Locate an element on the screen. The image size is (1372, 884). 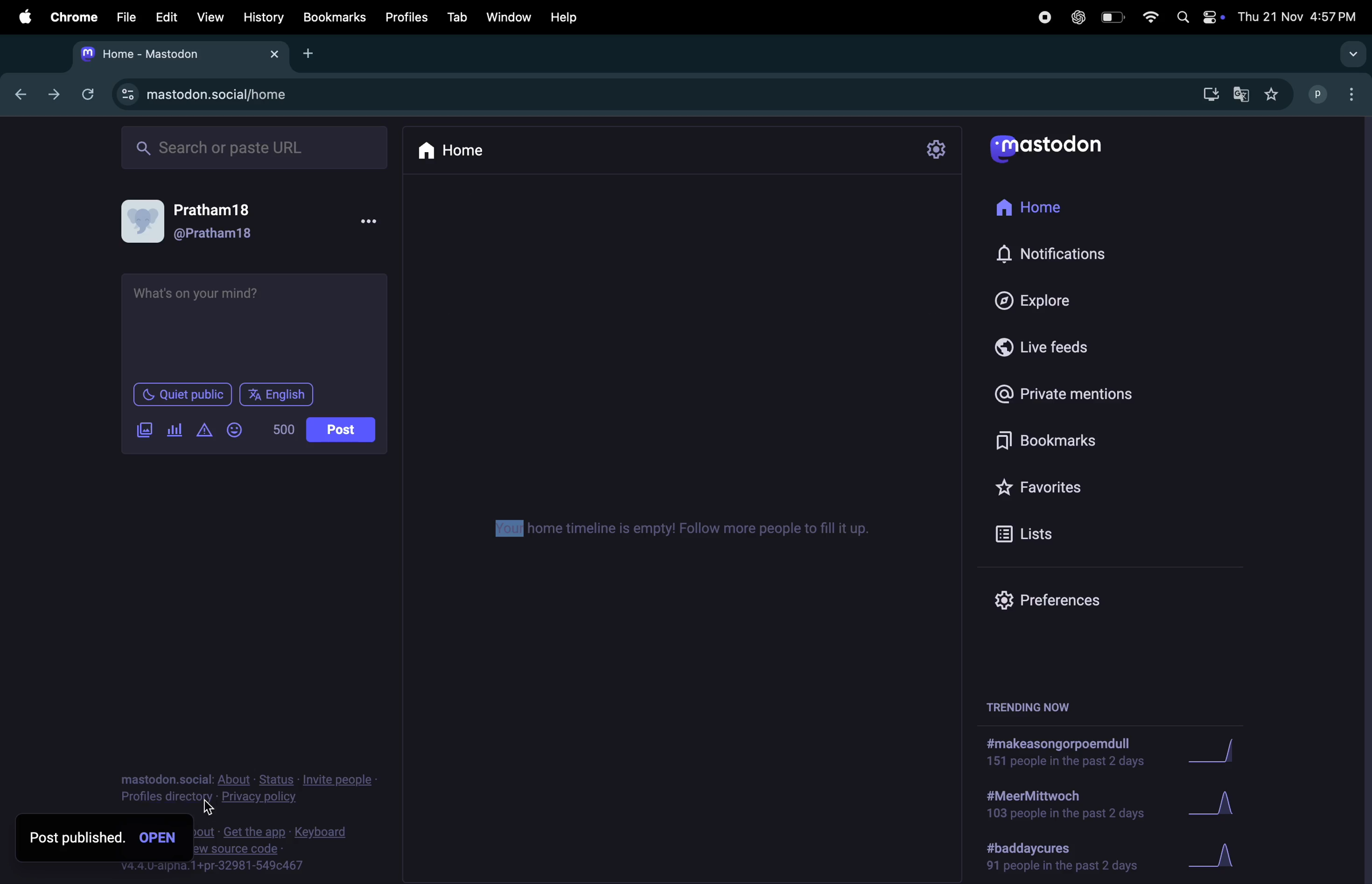
search tabs is located at coordinates (1351, 54).